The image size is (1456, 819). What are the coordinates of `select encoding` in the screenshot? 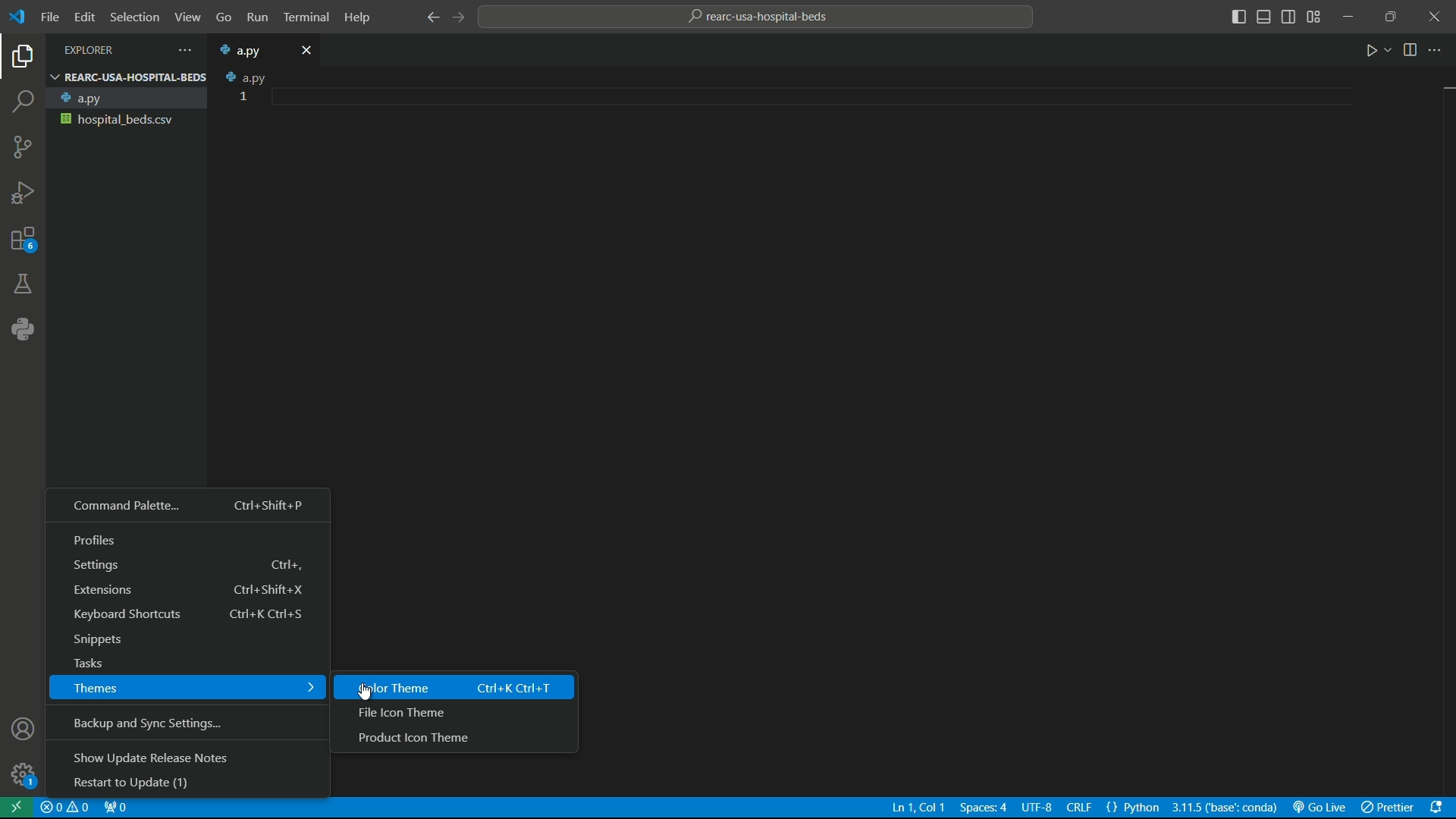 It's located at (1037, 809).